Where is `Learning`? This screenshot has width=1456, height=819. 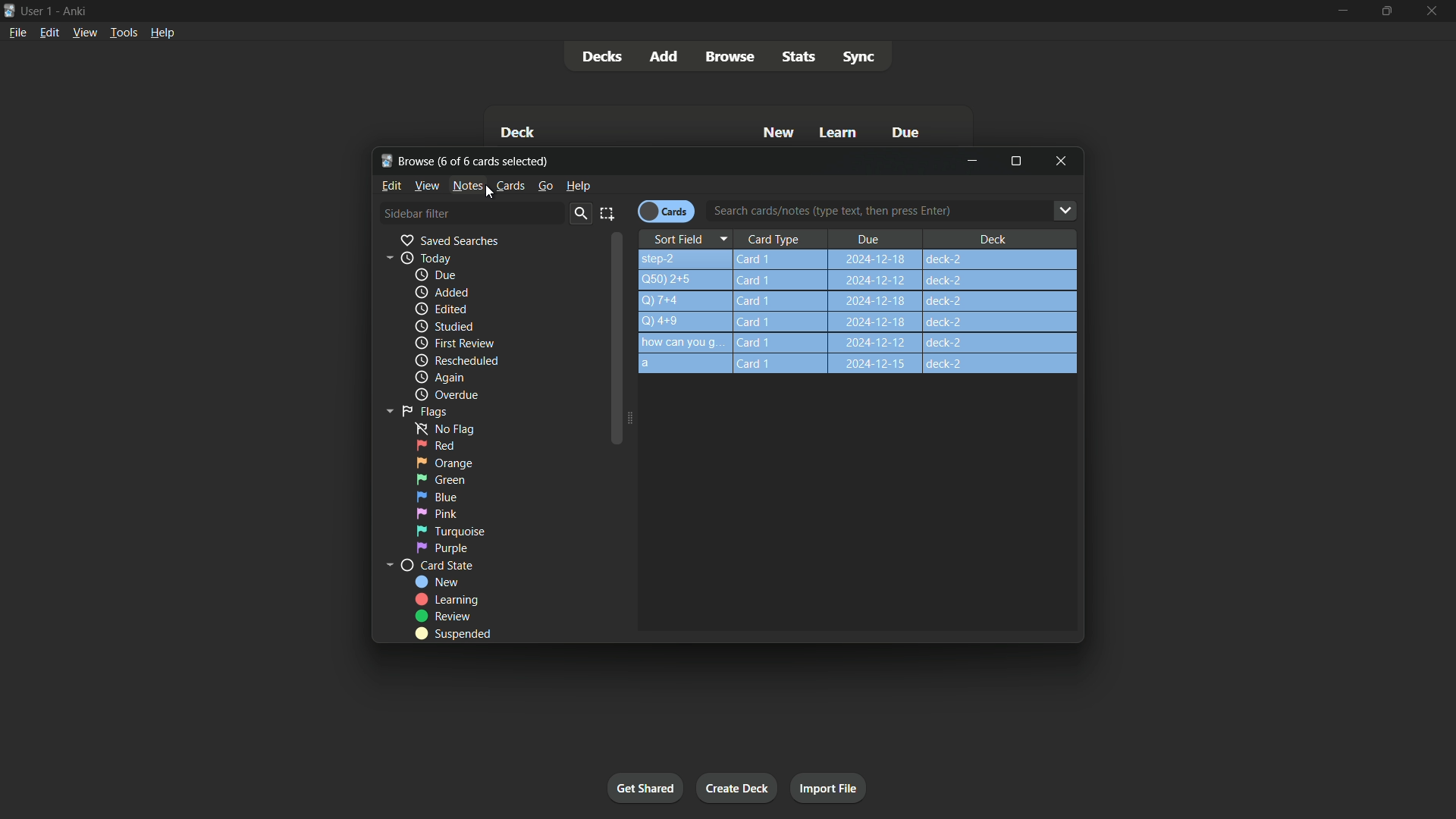 Learning is located at coordinates (447, 600).